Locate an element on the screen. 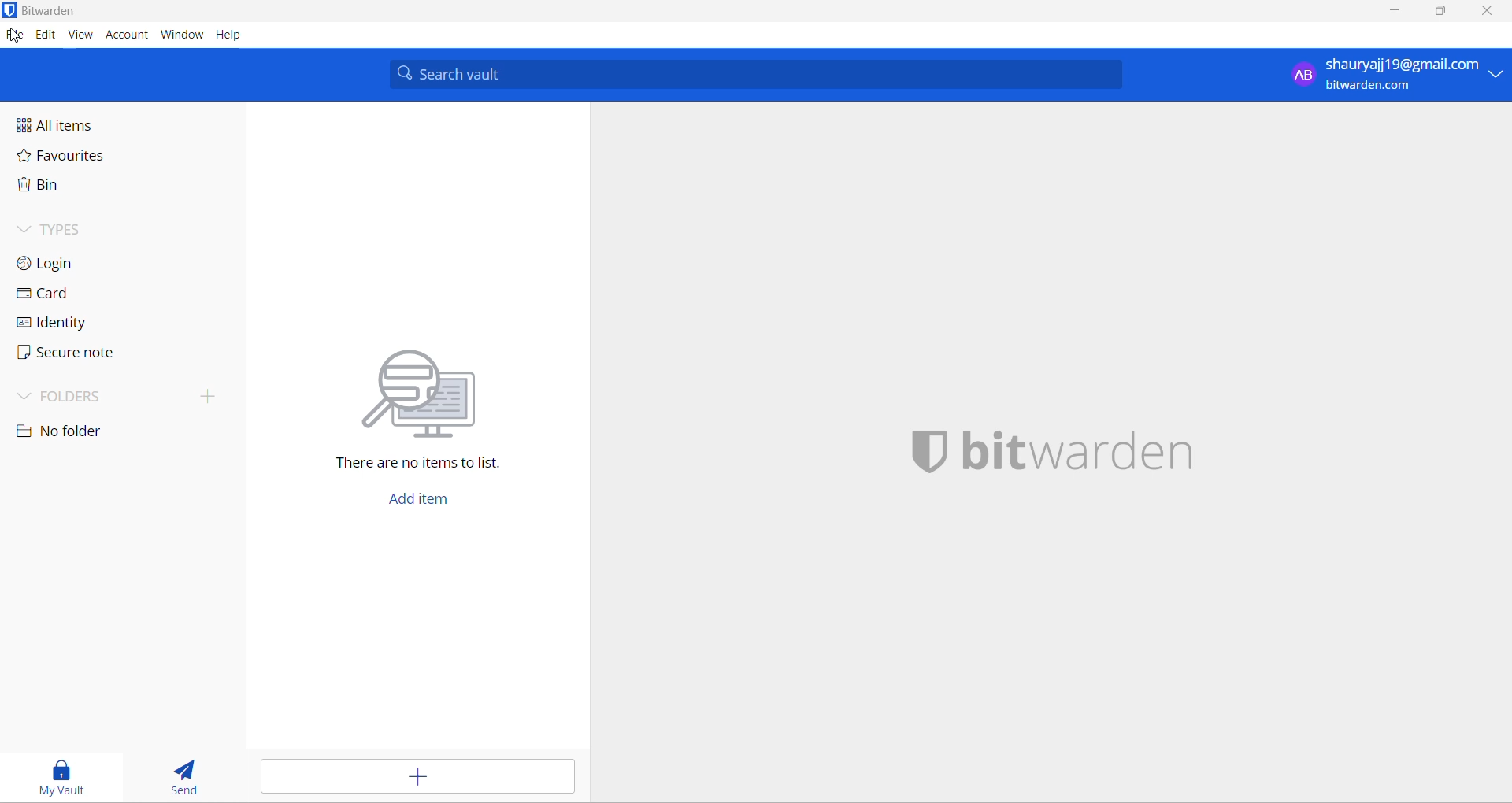  search vault  is located at coordinates (750, 75).